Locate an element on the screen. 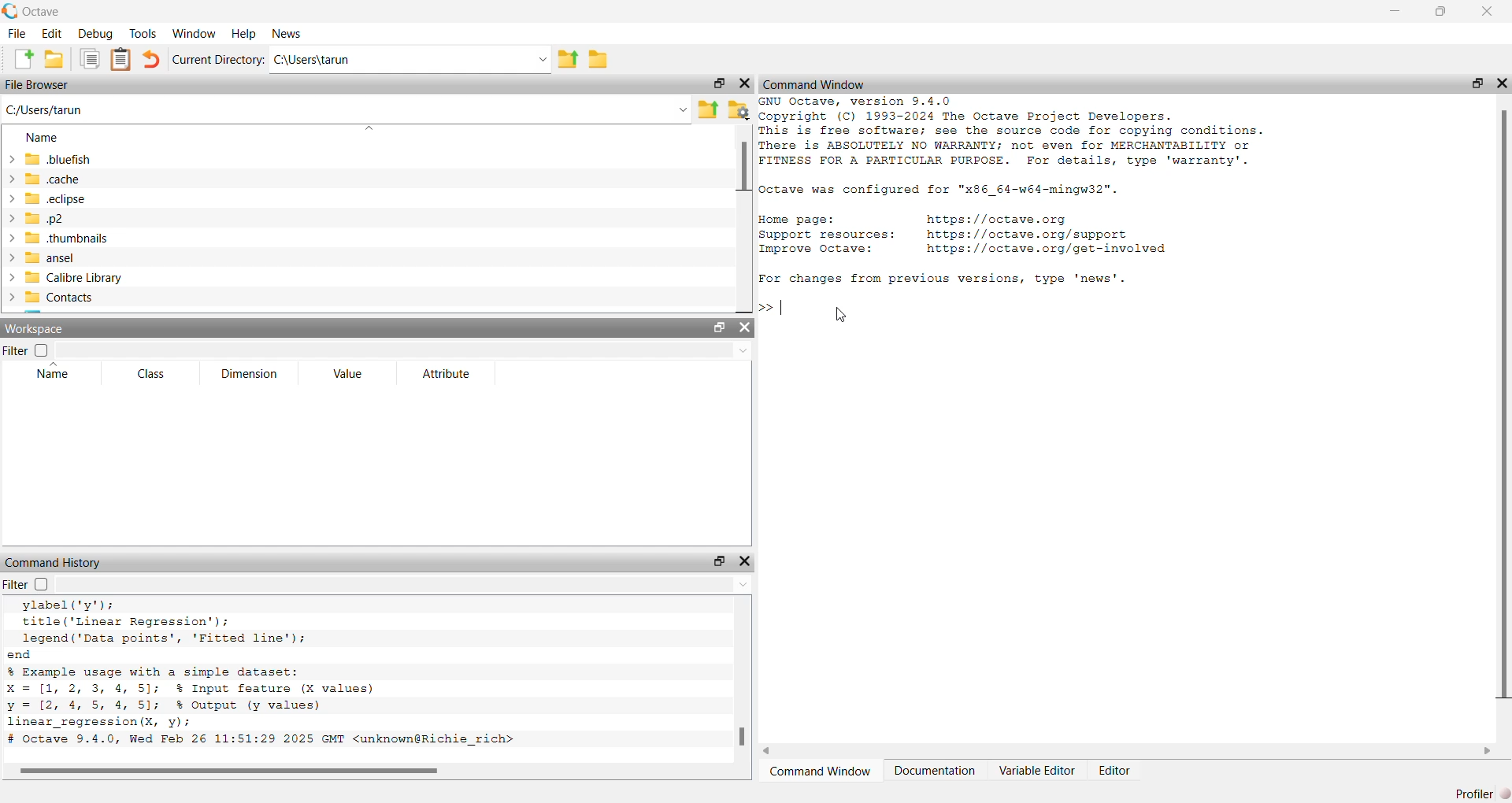 Image resolution: width=1512 pixels, height=803 pixels. workspace is located at coordinates (43, 327).